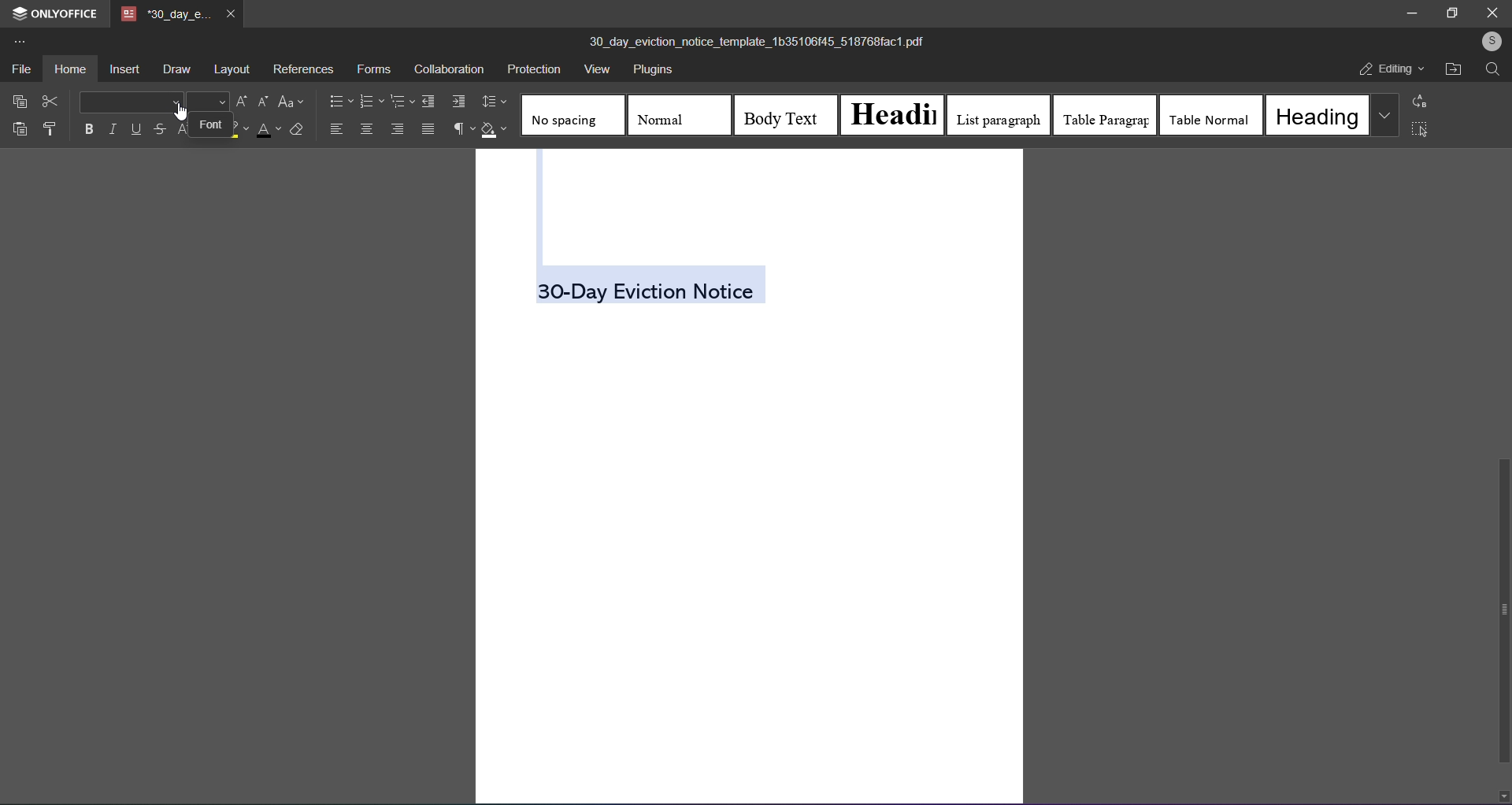  What do you see at coordinates (175, 69) in the screenshot?
I see `draw` at bounding box center [175, 69].